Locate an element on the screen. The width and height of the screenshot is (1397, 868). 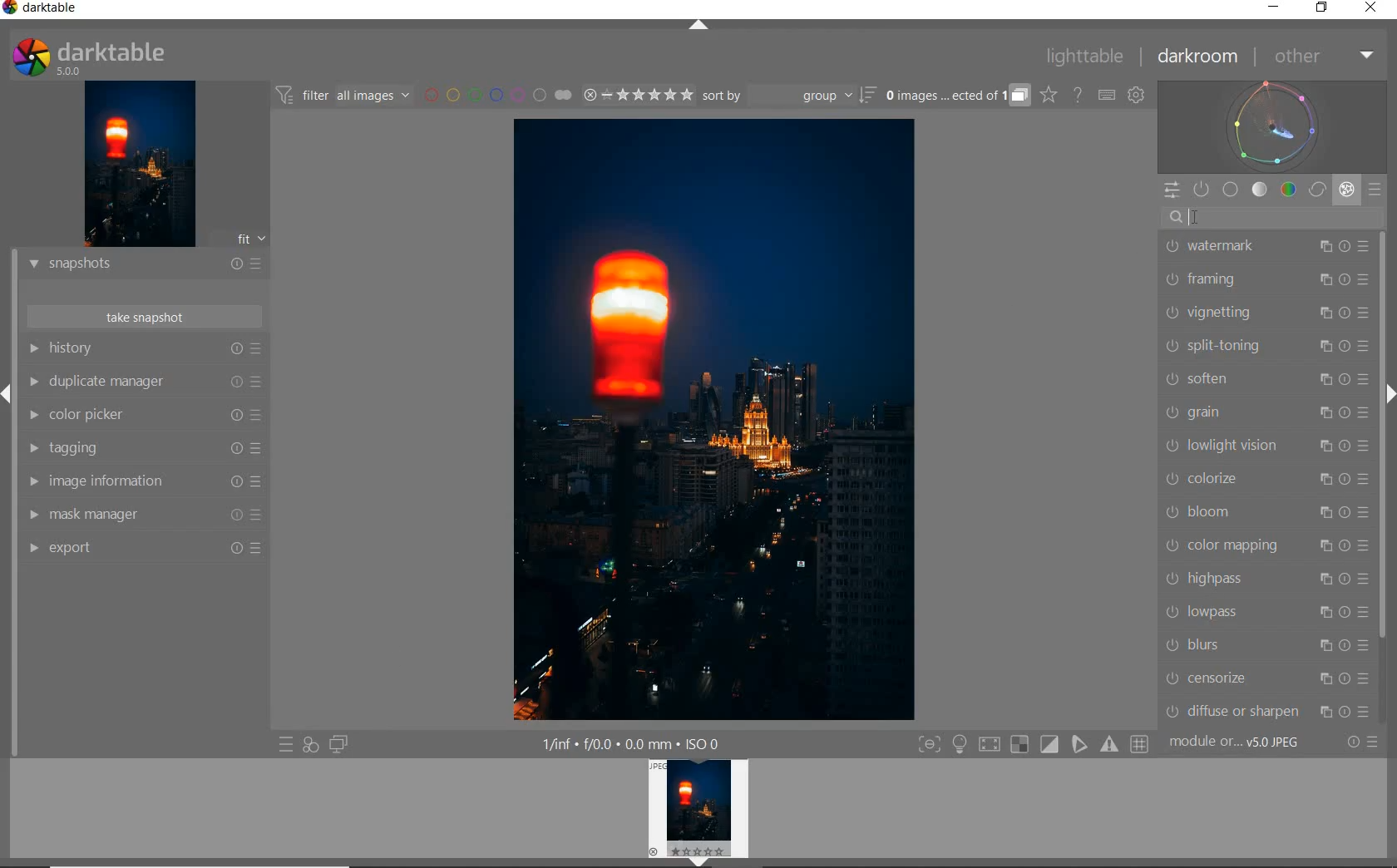
EFFECT is located at coordinates (1346, 189).